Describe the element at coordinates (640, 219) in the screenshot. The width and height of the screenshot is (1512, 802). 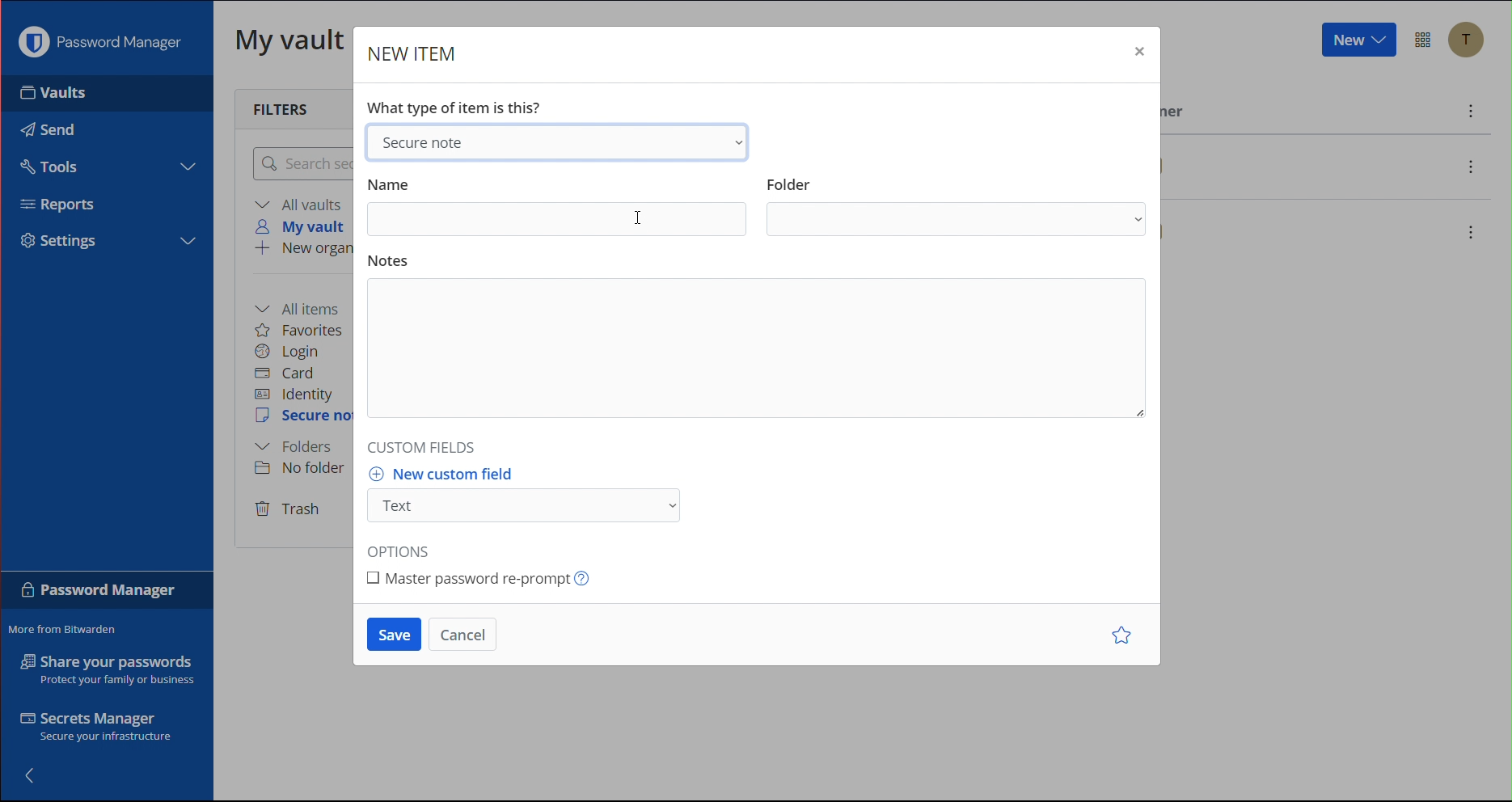
I see `Cursor` at that location.